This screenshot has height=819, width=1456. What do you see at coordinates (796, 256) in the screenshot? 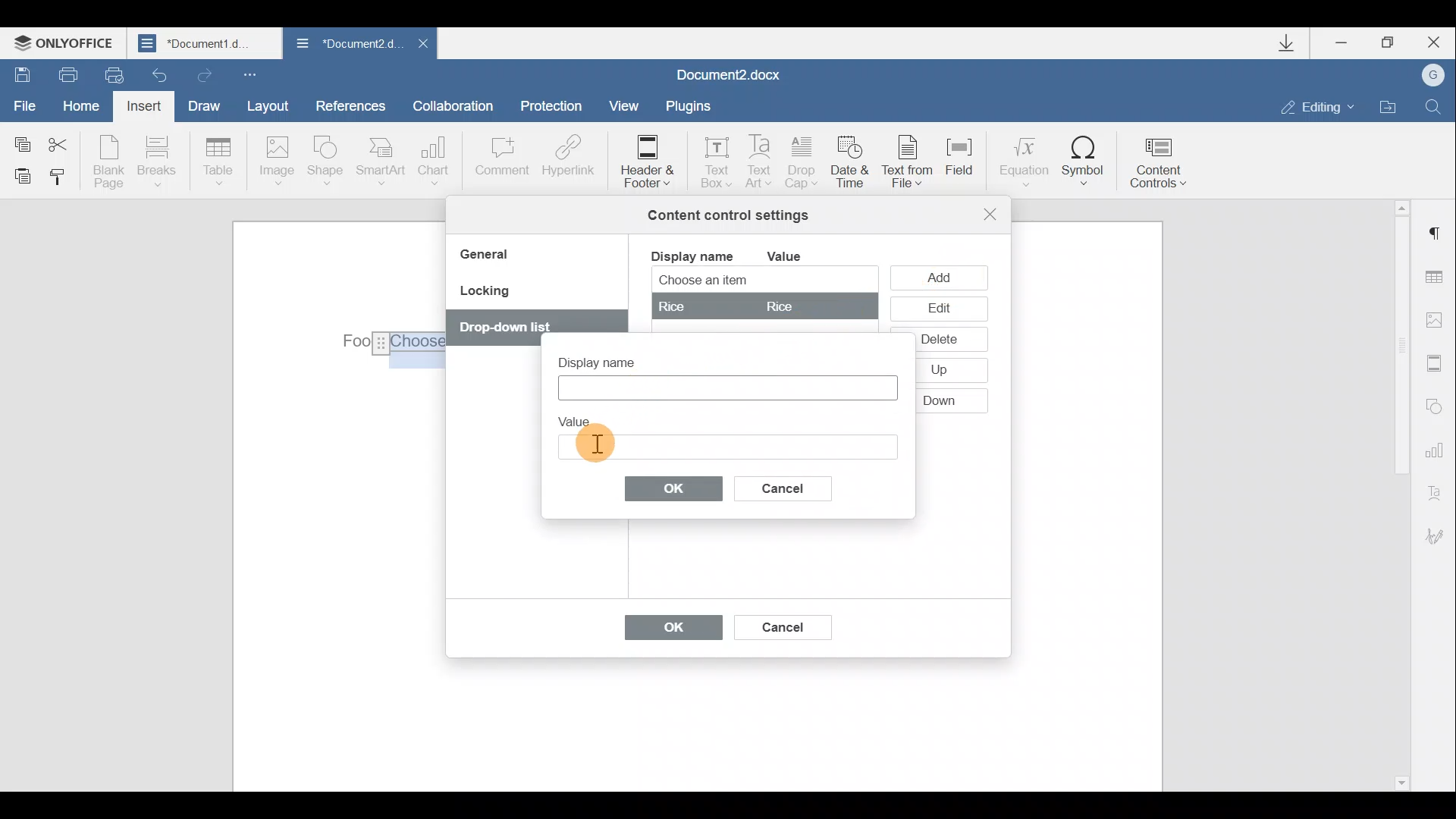
I see `Value` at bounding box center [796, 256].